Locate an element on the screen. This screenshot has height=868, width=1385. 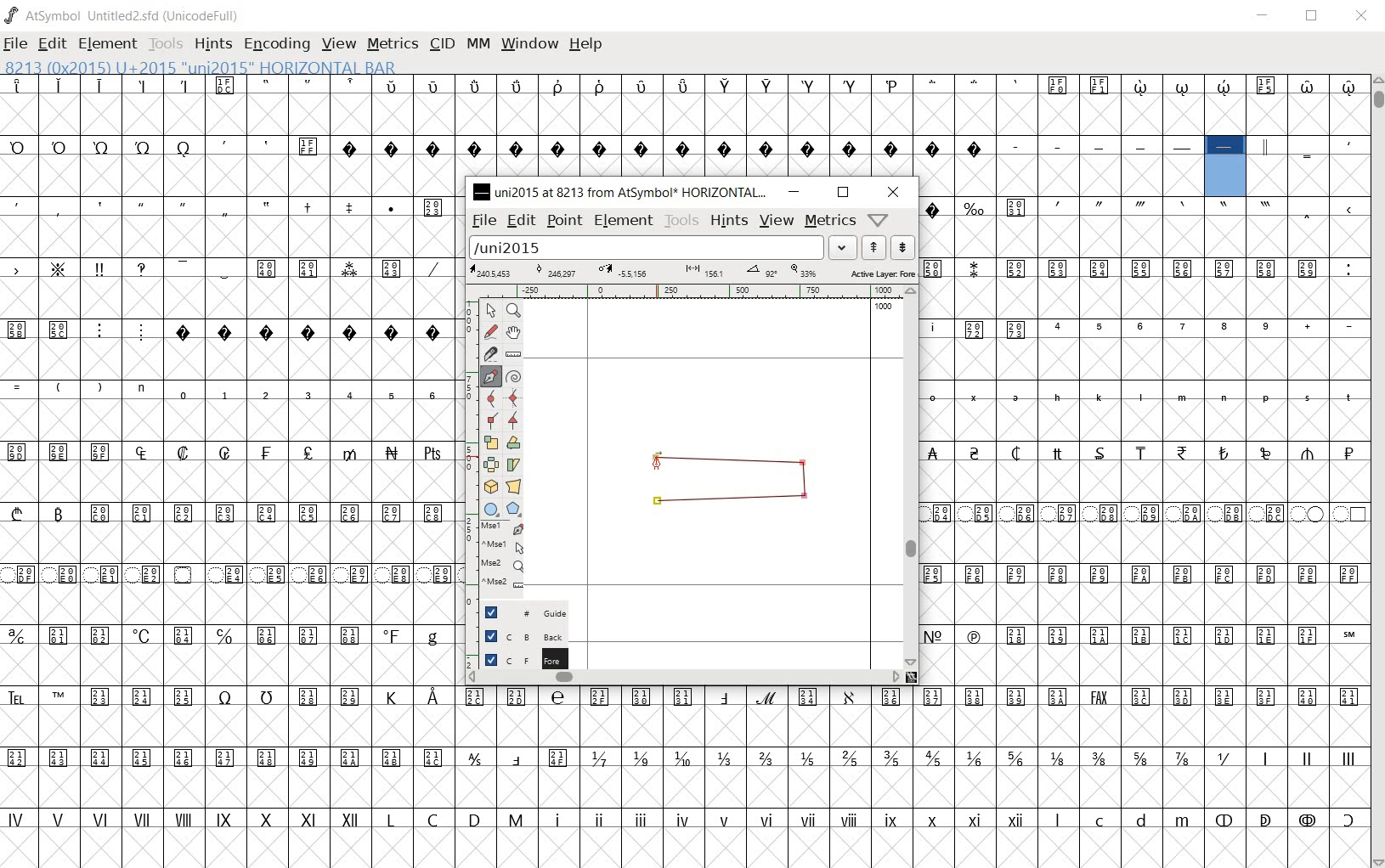
MAGNIFY is located at coordinates (515, 310).